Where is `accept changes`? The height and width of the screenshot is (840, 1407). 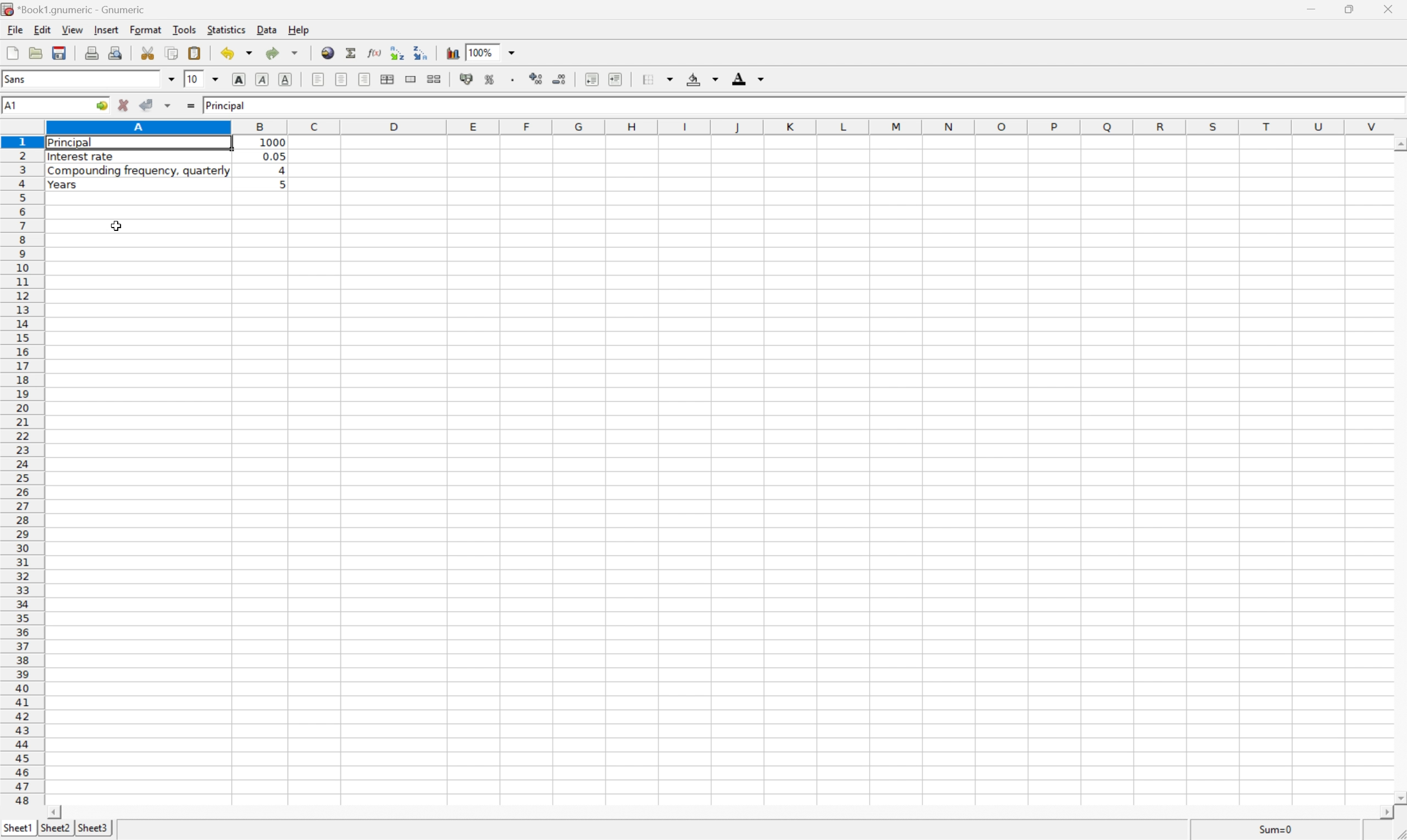 accept changes is located at coordinates (146, 103).